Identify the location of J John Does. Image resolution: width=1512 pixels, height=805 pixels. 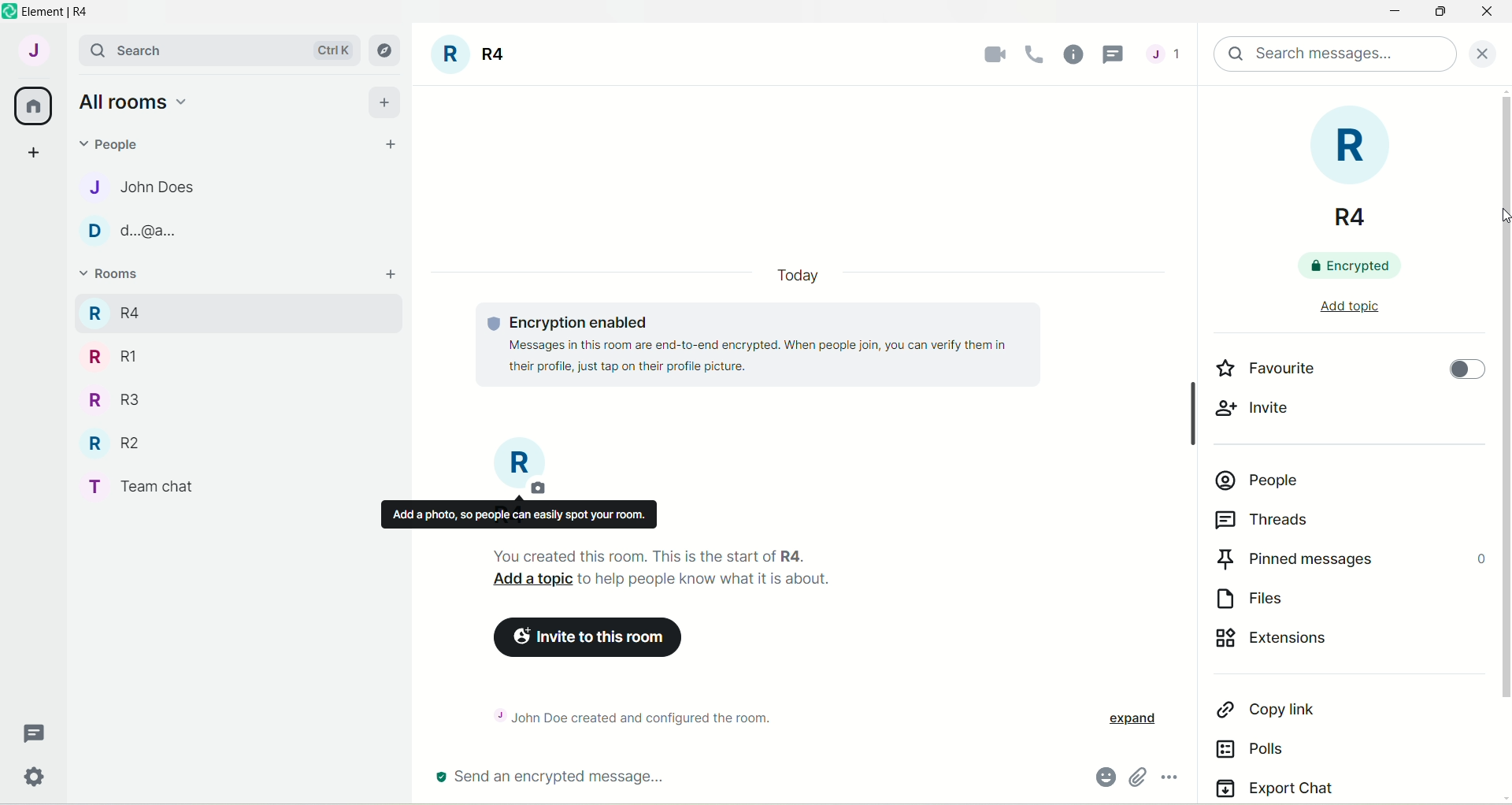
(127, 187).